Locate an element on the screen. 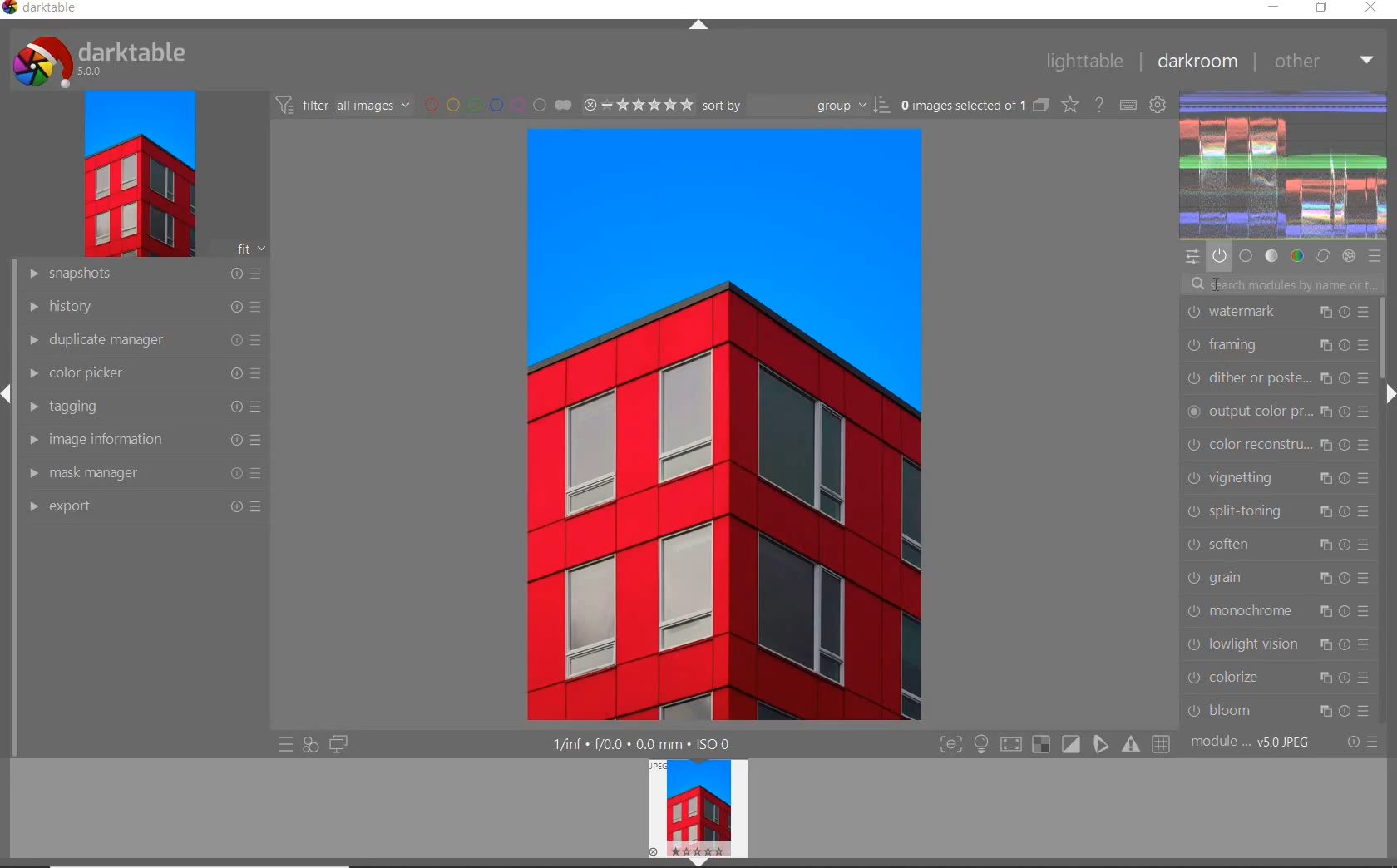 This screenshot has width=1397, height=868. dakroom is located at coordinates (1196, 61).